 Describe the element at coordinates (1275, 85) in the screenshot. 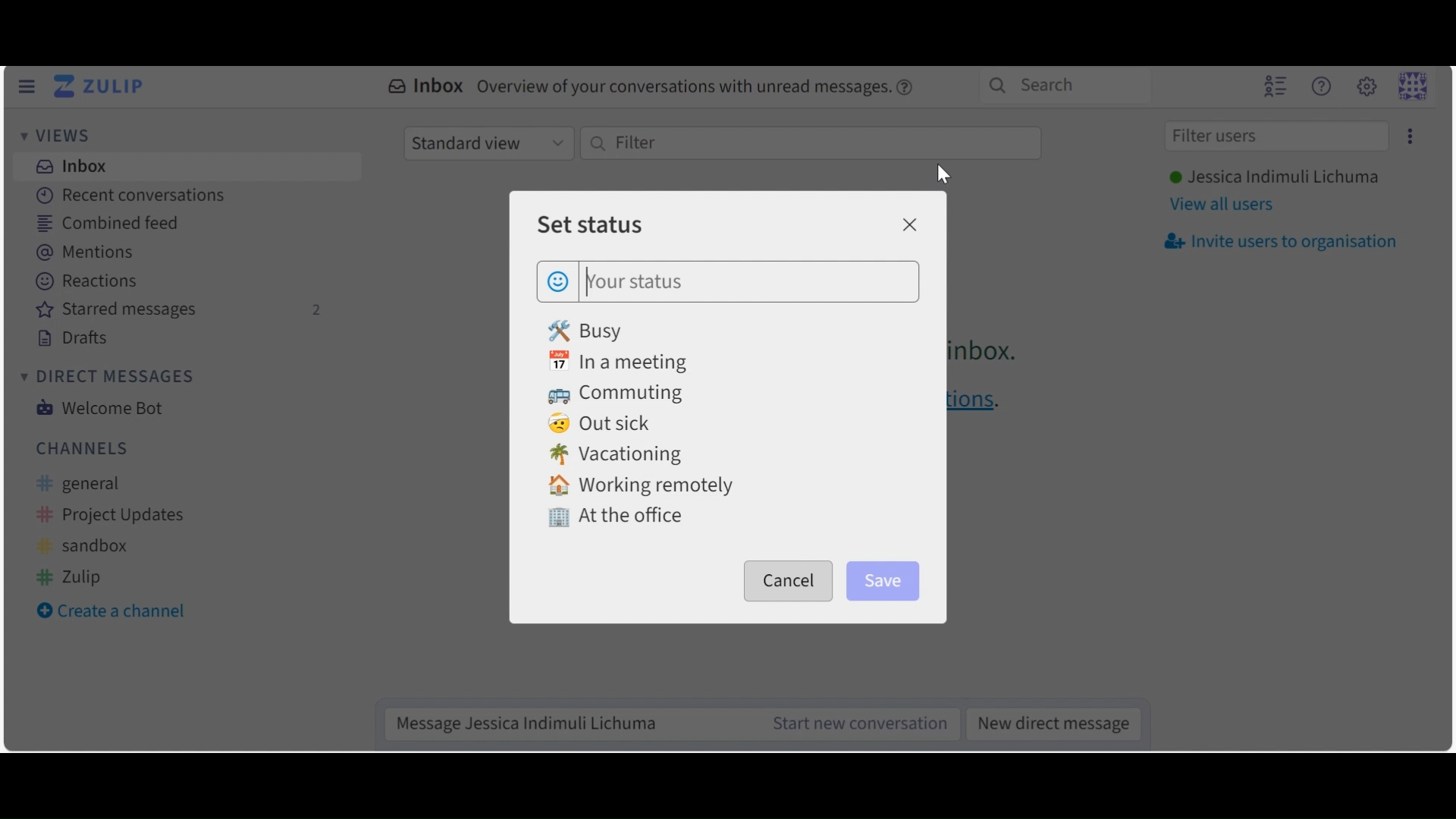

I see `Hide user List ` at that location.